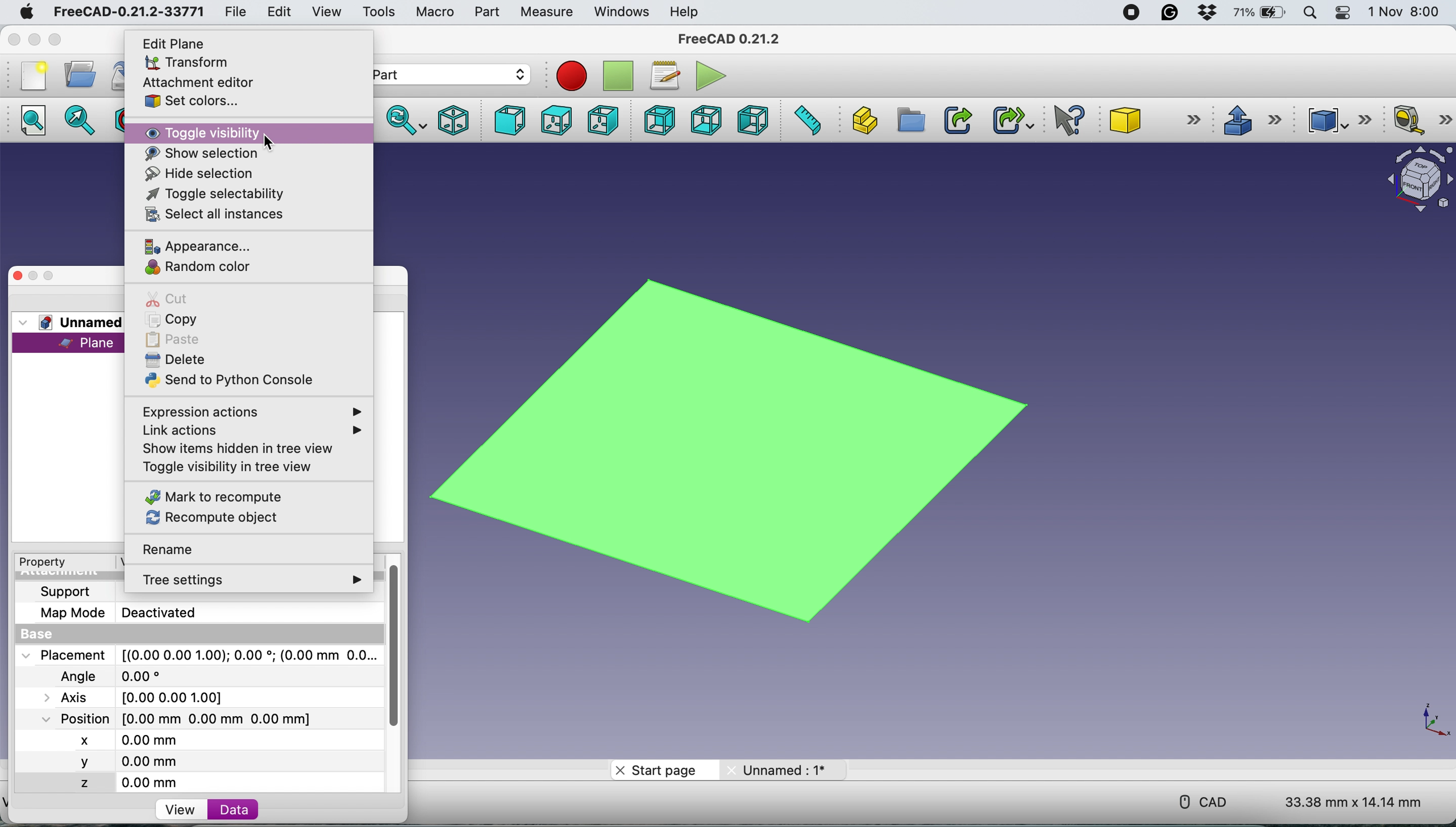 The image size is (1456, 827). I want to click on object interface, so click(1414, 182).